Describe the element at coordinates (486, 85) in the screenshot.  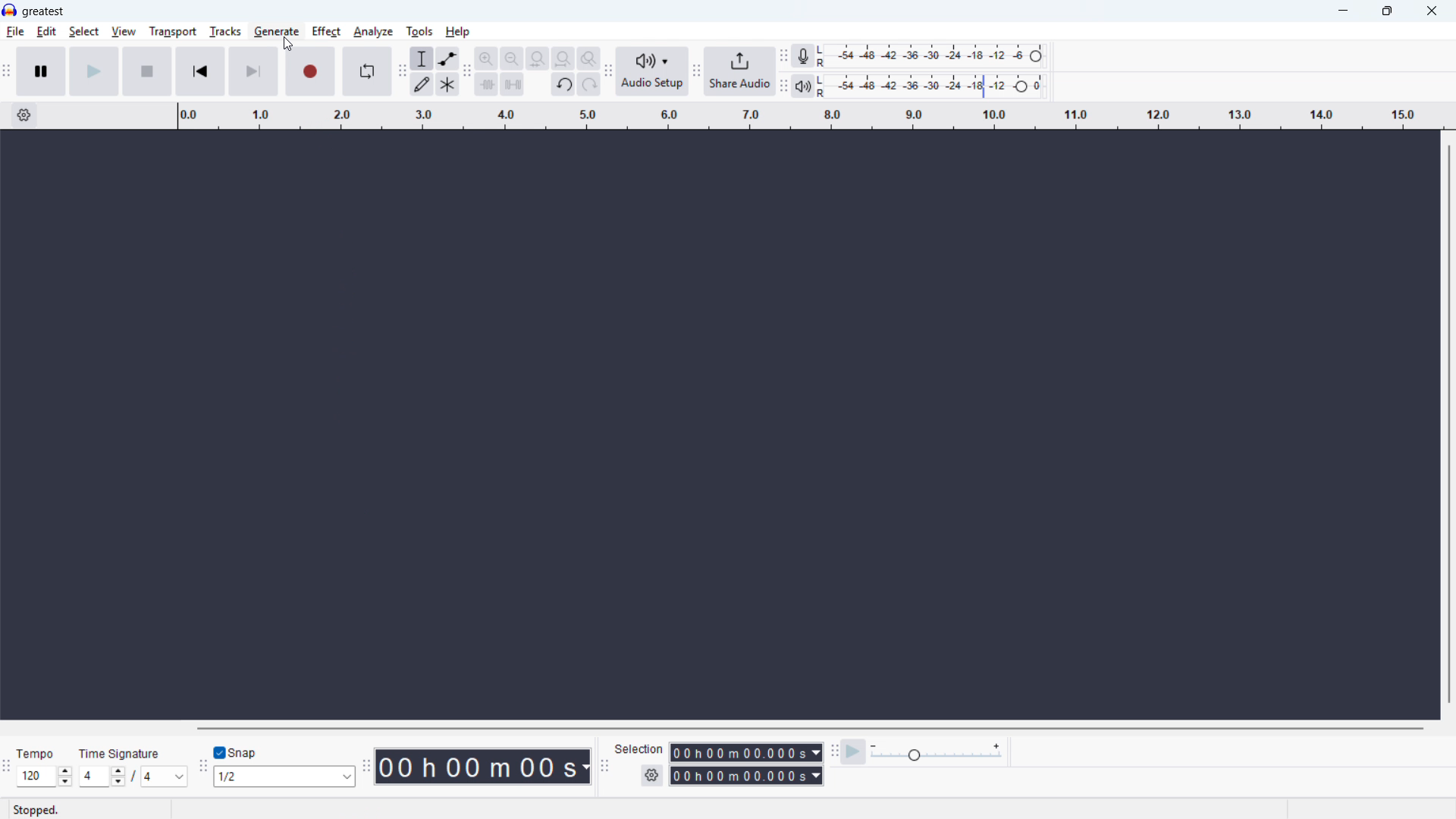
I see `trim audio outside selection` at that location.